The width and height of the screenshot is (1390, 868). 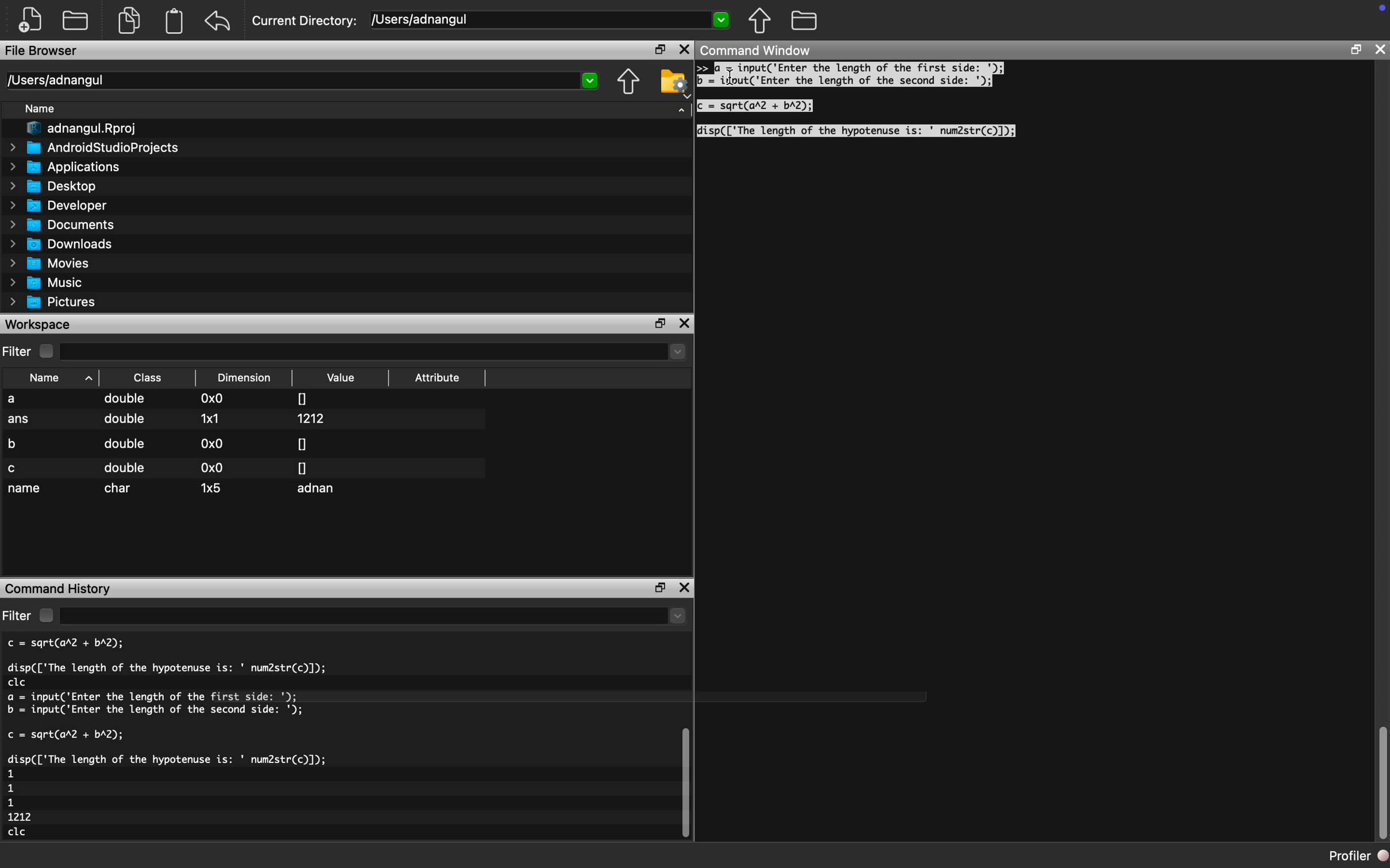 What do you see at coordinates (14, 468) in the screenshot?
I see `c` at bounding box center [14, 468].